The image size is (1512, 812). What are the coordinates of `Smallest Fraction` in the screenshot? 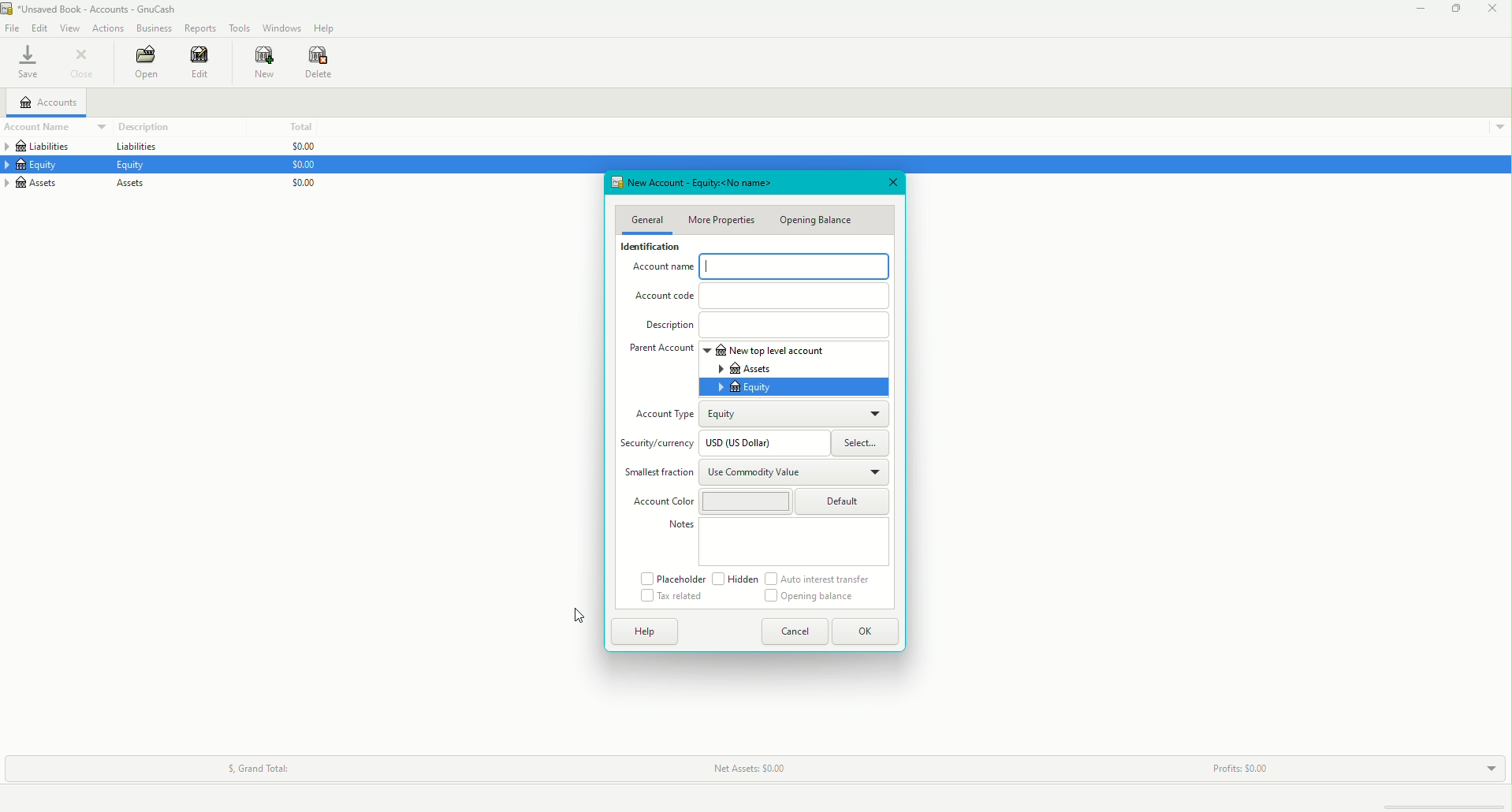 It's located at (658, 472).